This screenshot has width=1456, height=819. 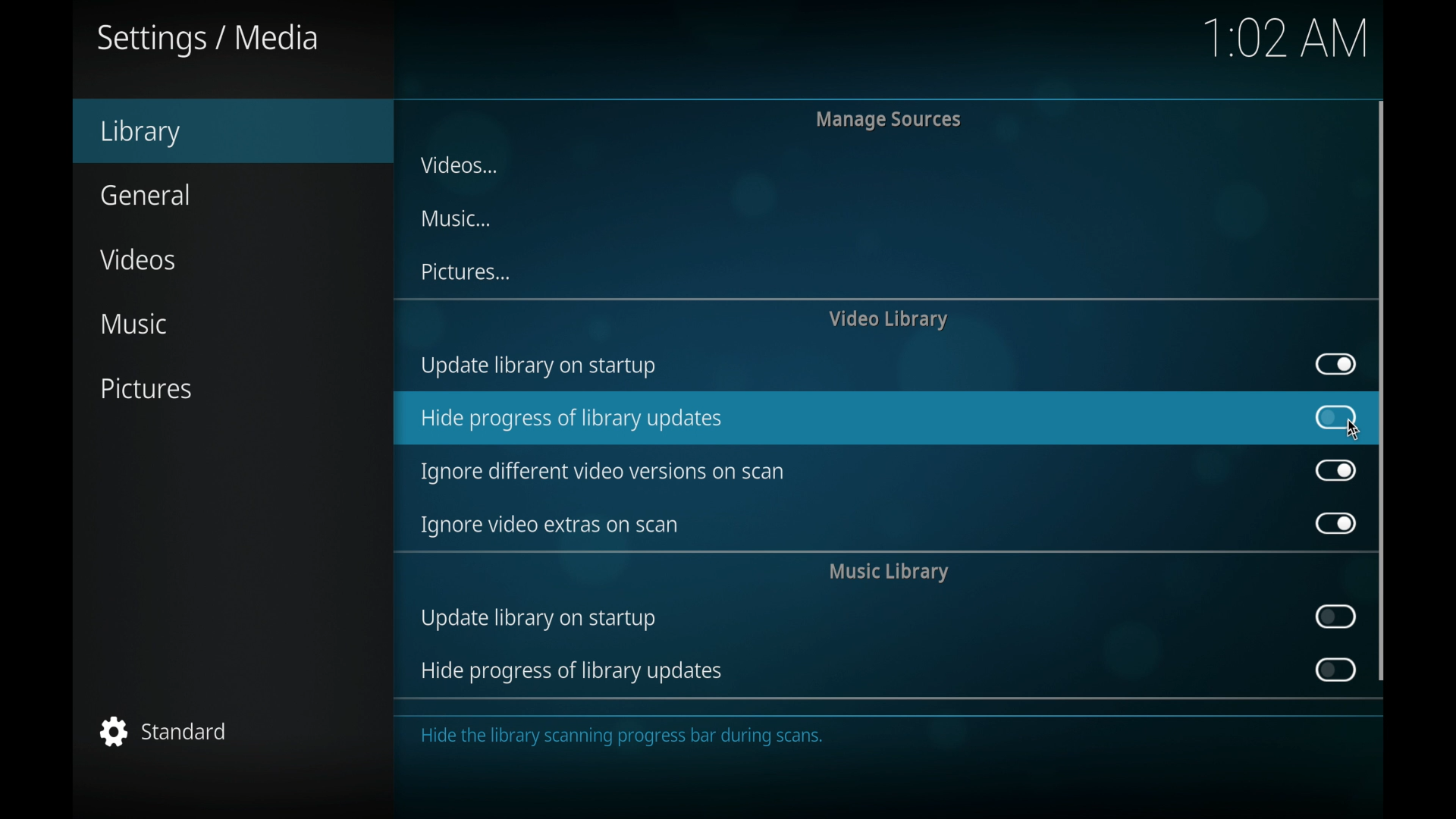 I want to click on pictures, so click(x=146, y=389).